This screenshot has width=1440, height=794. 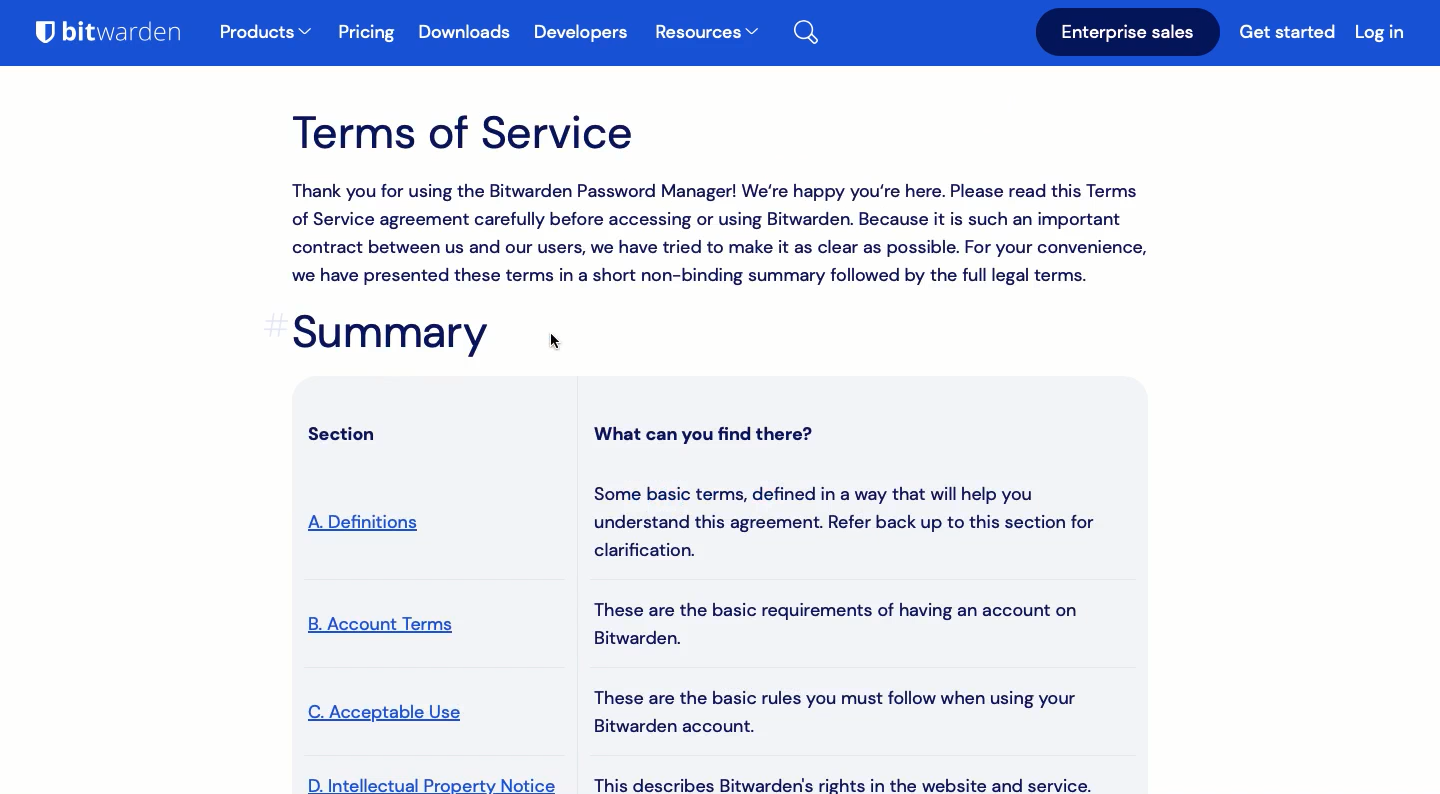 I want to click on acceptable use, so click(x=390, y=710).